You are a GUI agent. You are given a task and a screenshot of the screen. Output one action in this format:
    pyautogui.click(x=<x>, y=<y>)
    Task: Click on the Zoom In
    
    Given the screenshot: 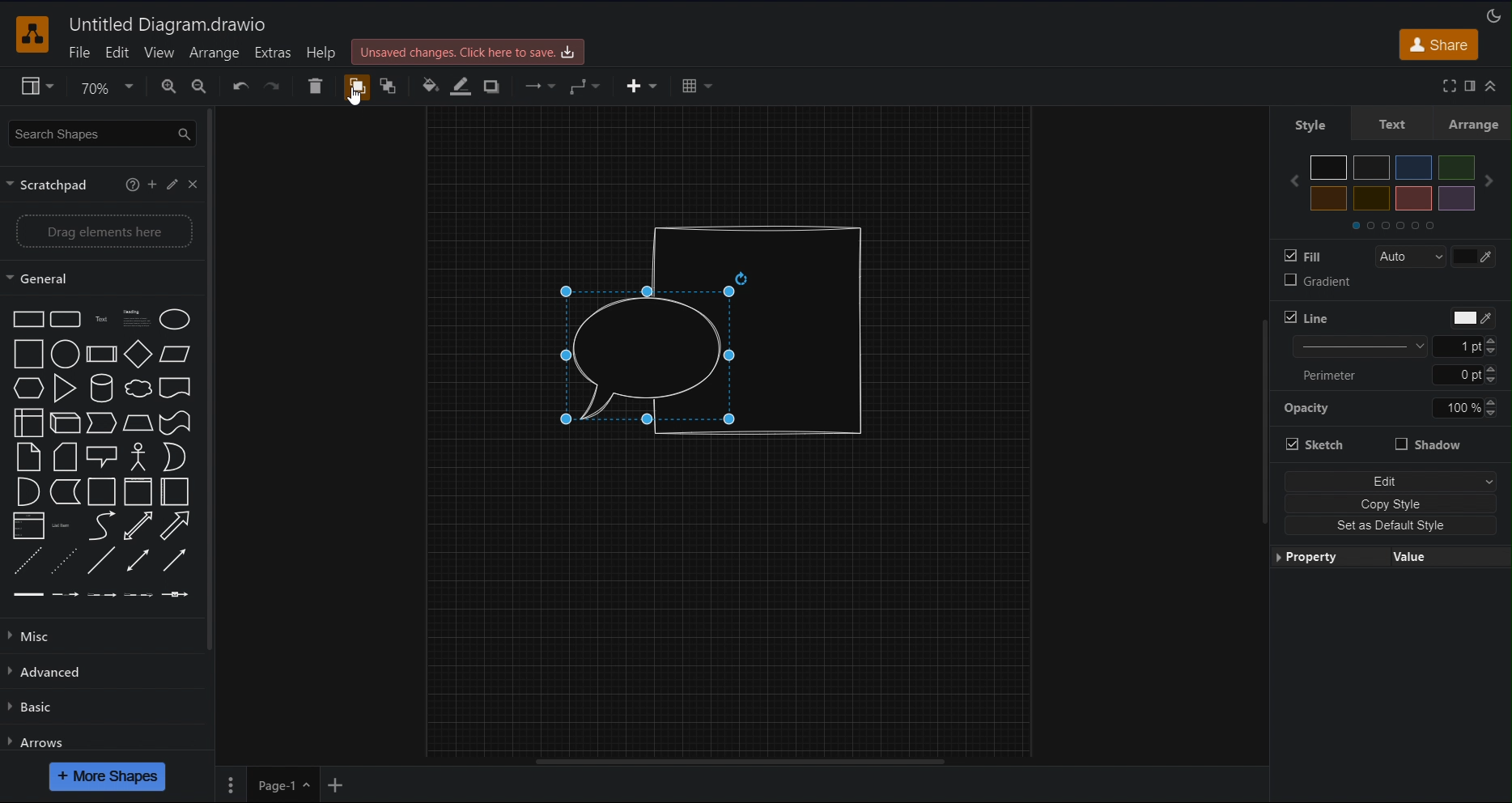 What is the action you would take?
    pyautogui.click(x=166, y=87)
    